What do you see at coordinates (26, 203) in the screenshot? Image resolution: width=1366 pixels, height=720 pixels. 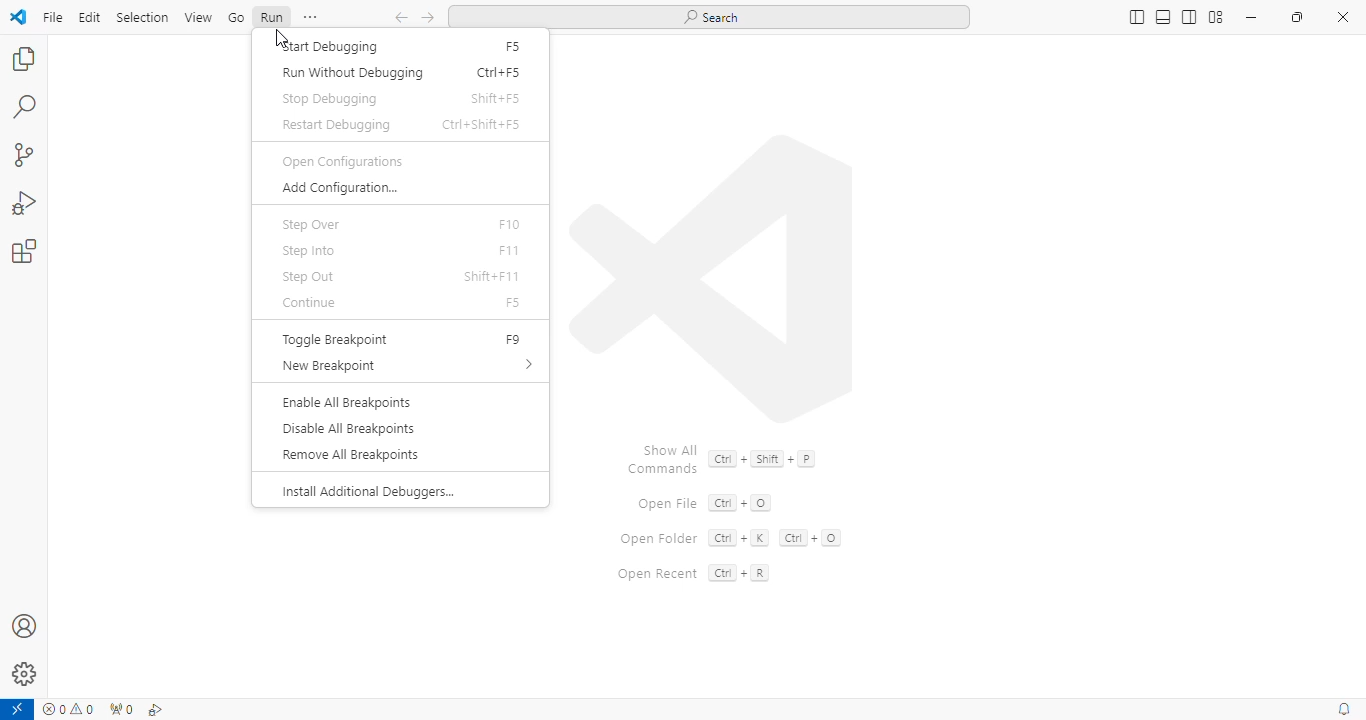 I see `run and debug` at bounding box center [26, 203].